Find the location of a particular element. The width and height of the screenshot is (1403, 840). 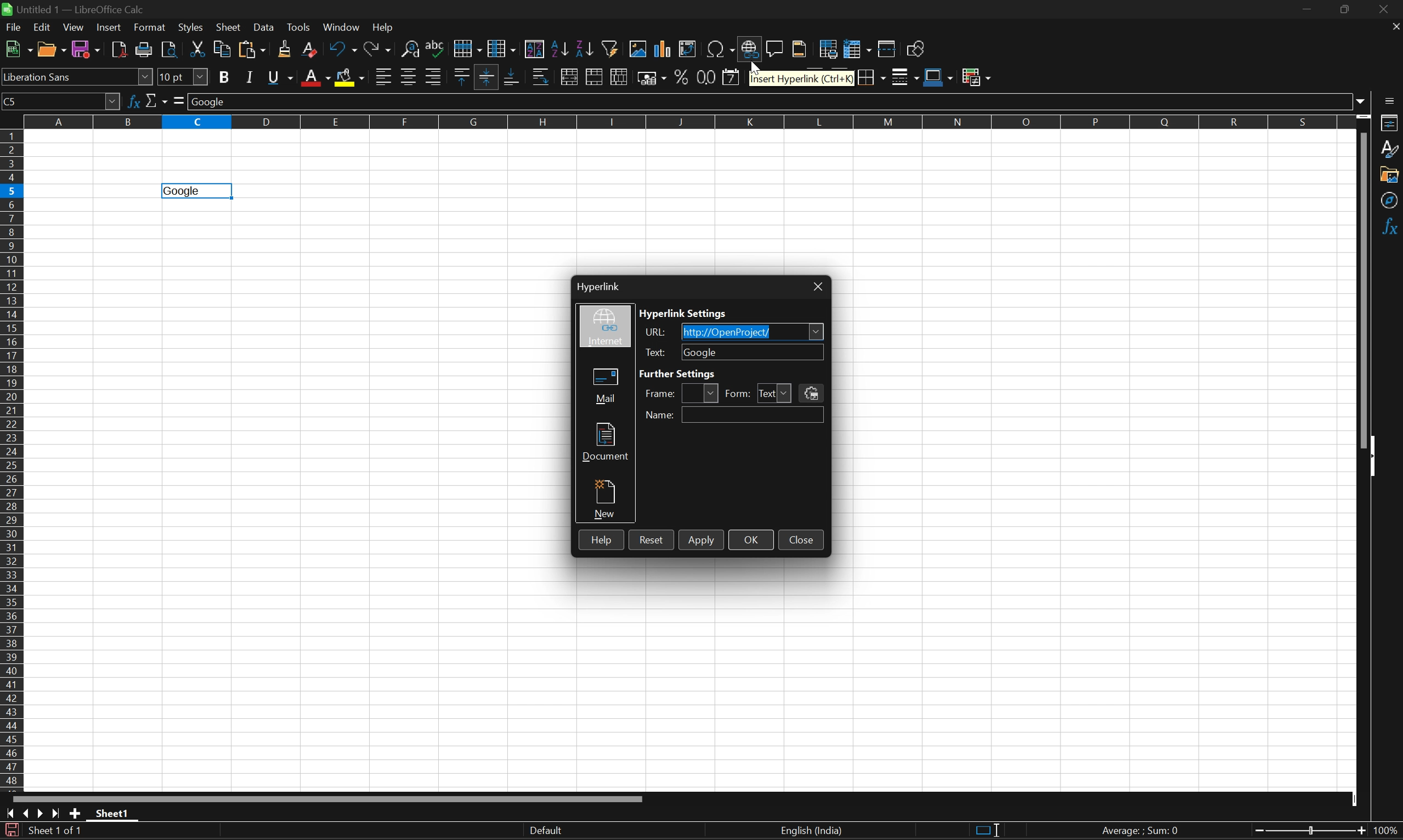

Untitled1 - LibreOffice Calc is located at coordinates (74, 8).